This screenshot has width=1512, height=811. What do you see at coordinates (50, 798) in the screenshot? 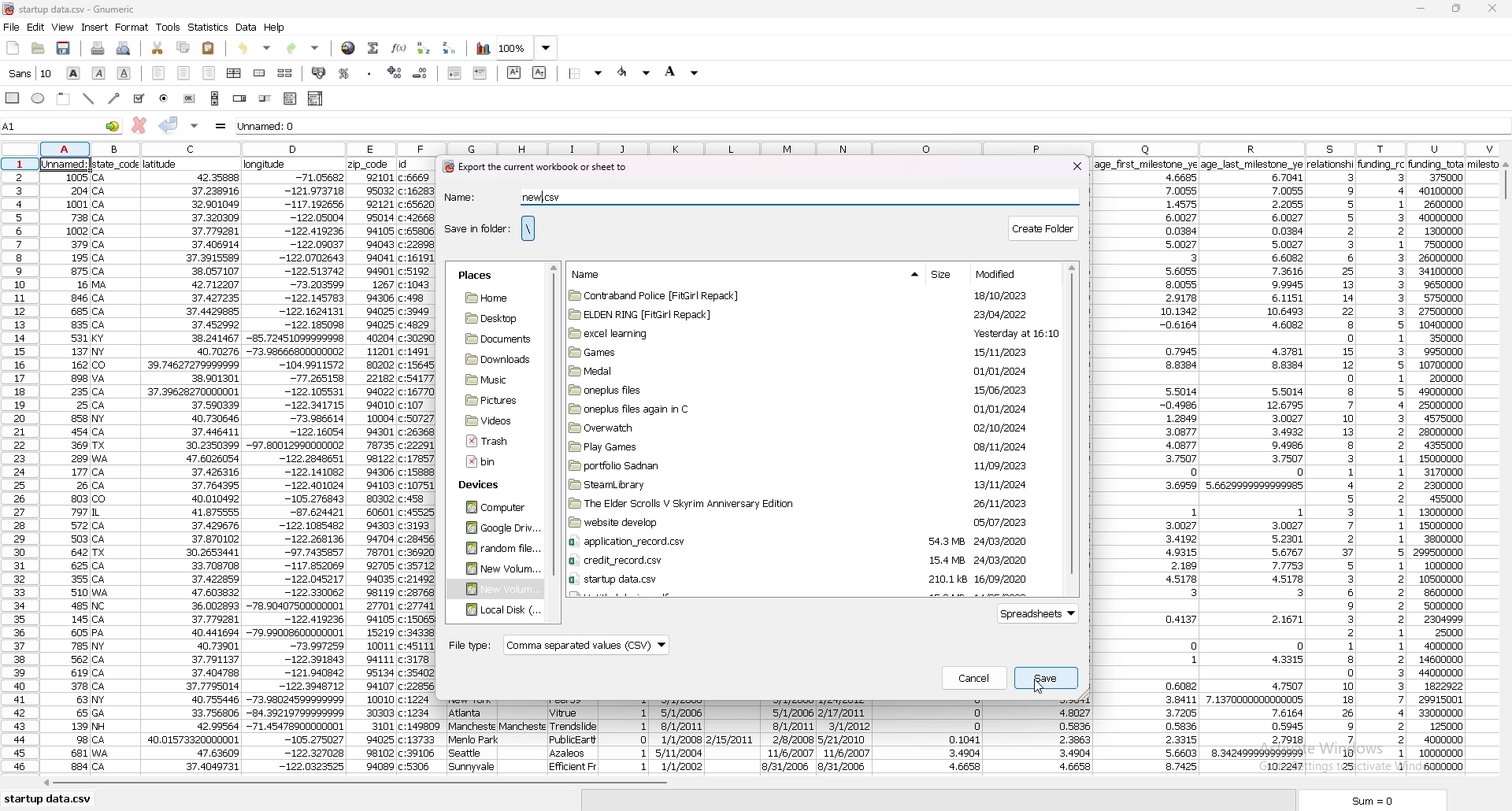
I see `Startup data.csv` at bounding box center [50, 798].